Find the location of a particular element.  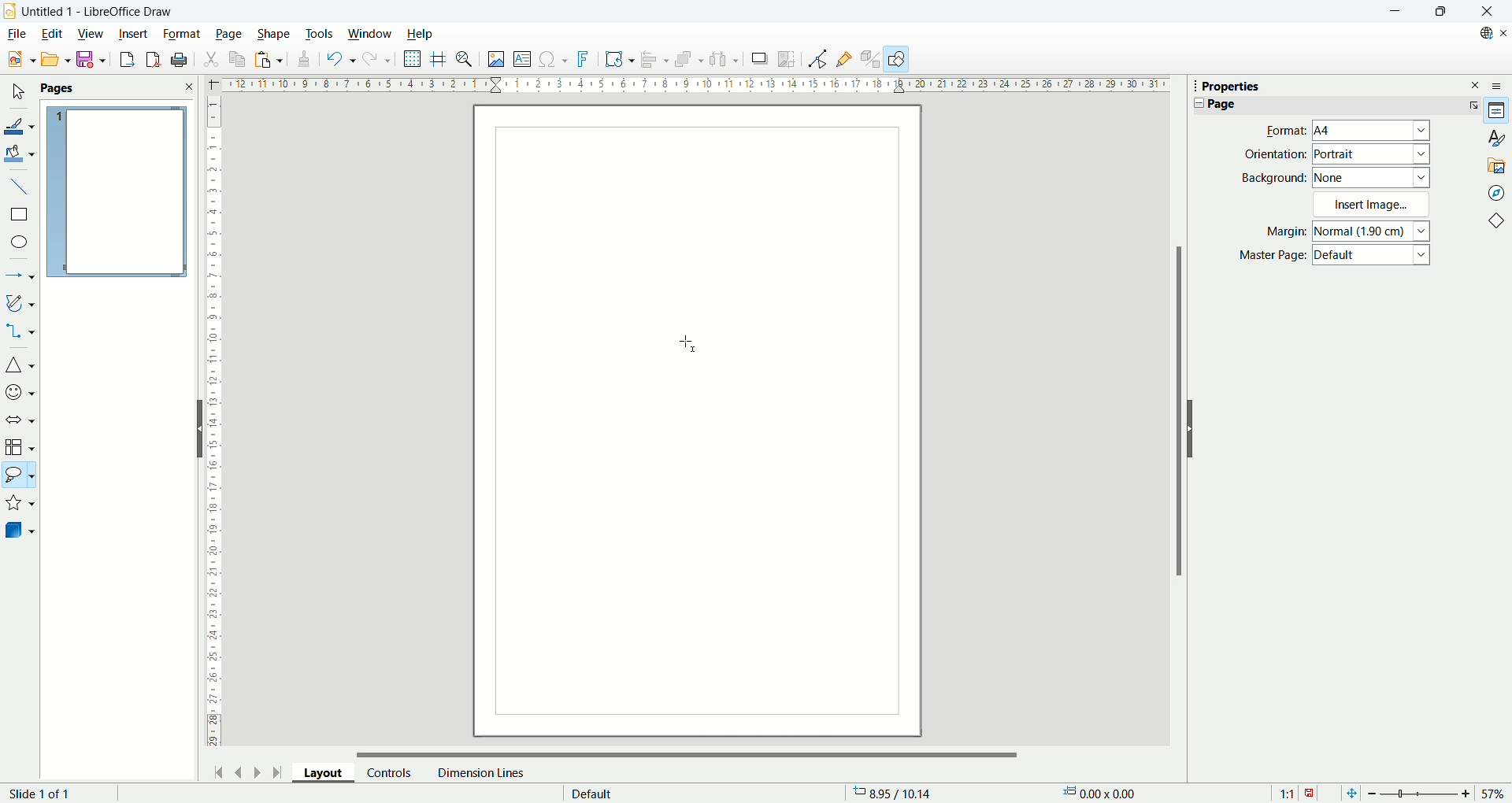

insert is located at coordinates (134, 32).